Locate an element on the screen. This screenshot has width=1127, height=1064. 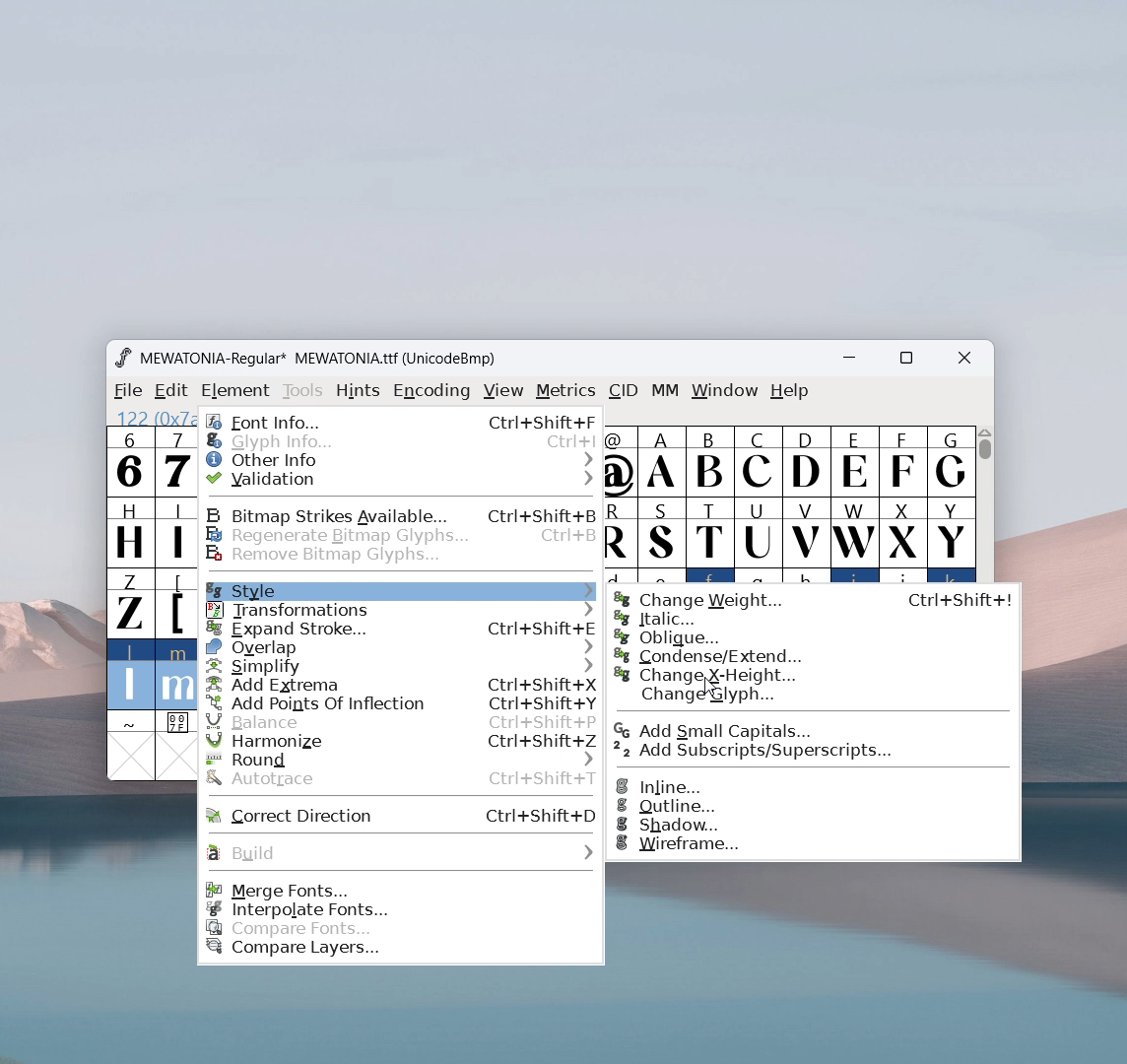
Vertical is located at coordinates (986, 503).